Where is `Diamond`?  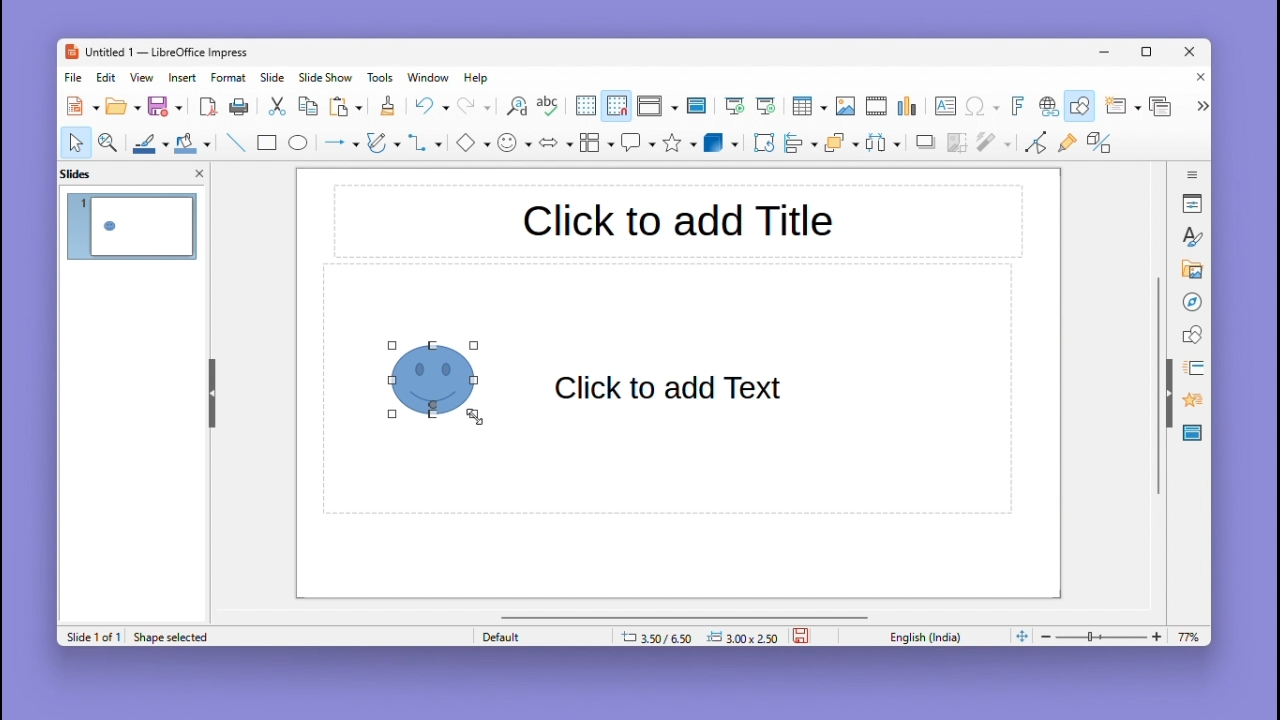
Diamond is located at coordinates (472, 143).